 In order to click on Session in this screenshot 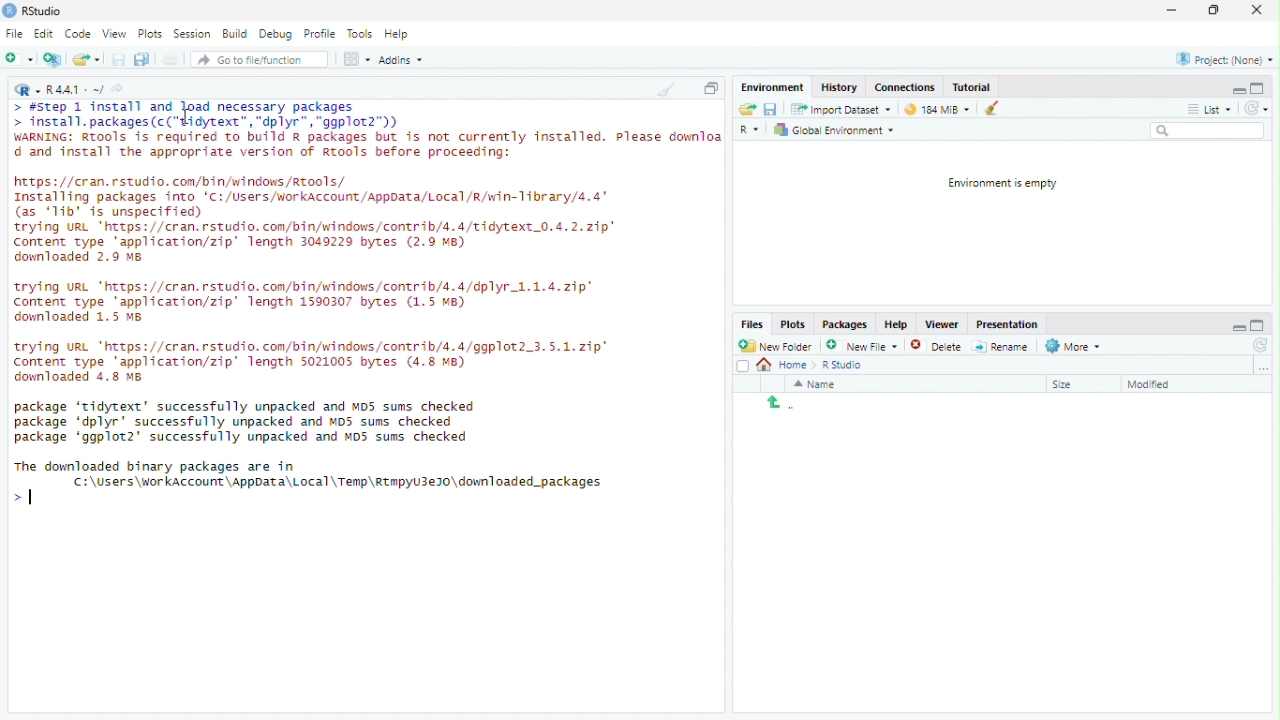, I will do `click(192, 33)`.